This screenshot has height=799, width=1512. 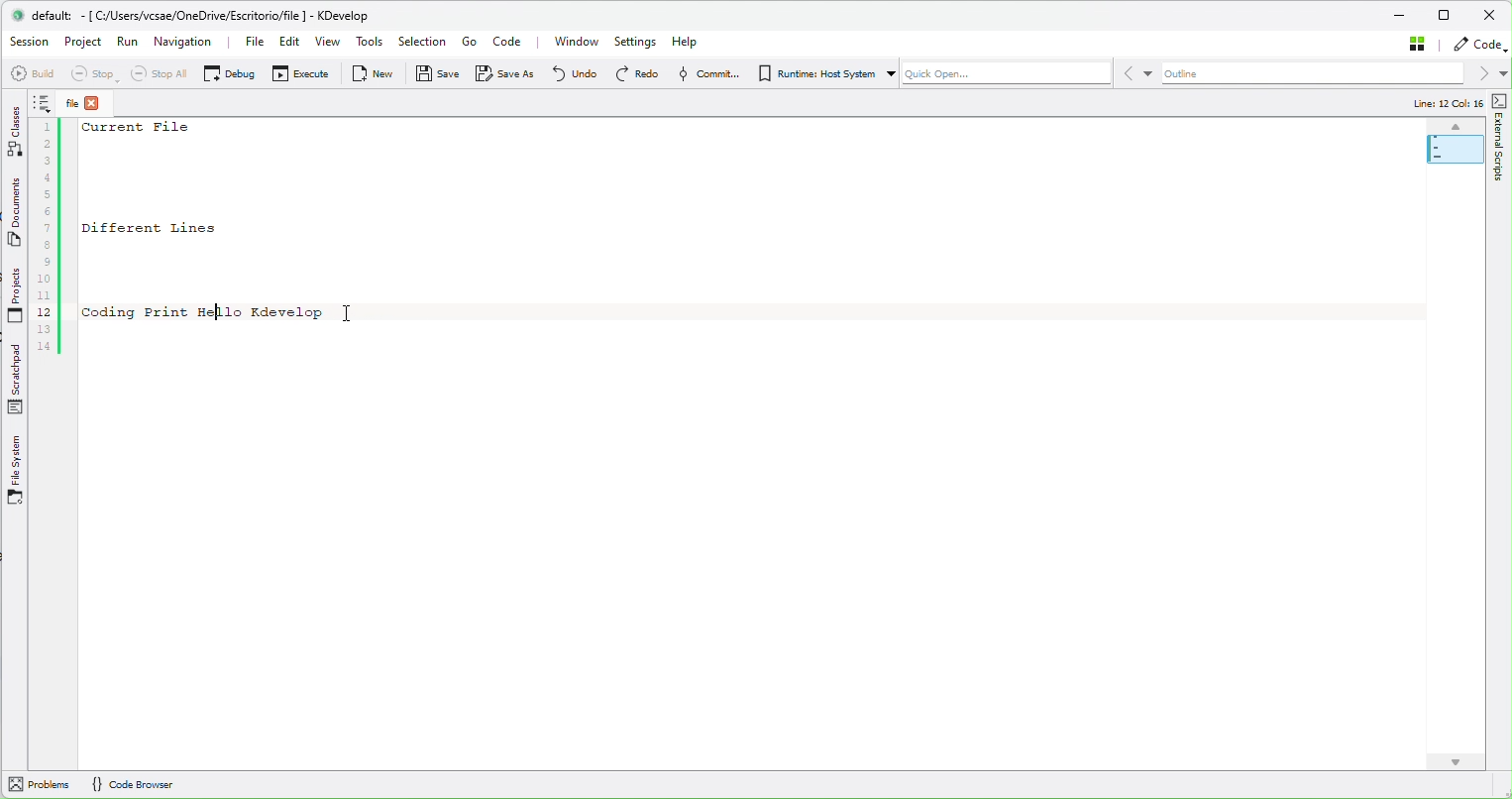 I want to click on Stop all, so click(x=161, y=73).